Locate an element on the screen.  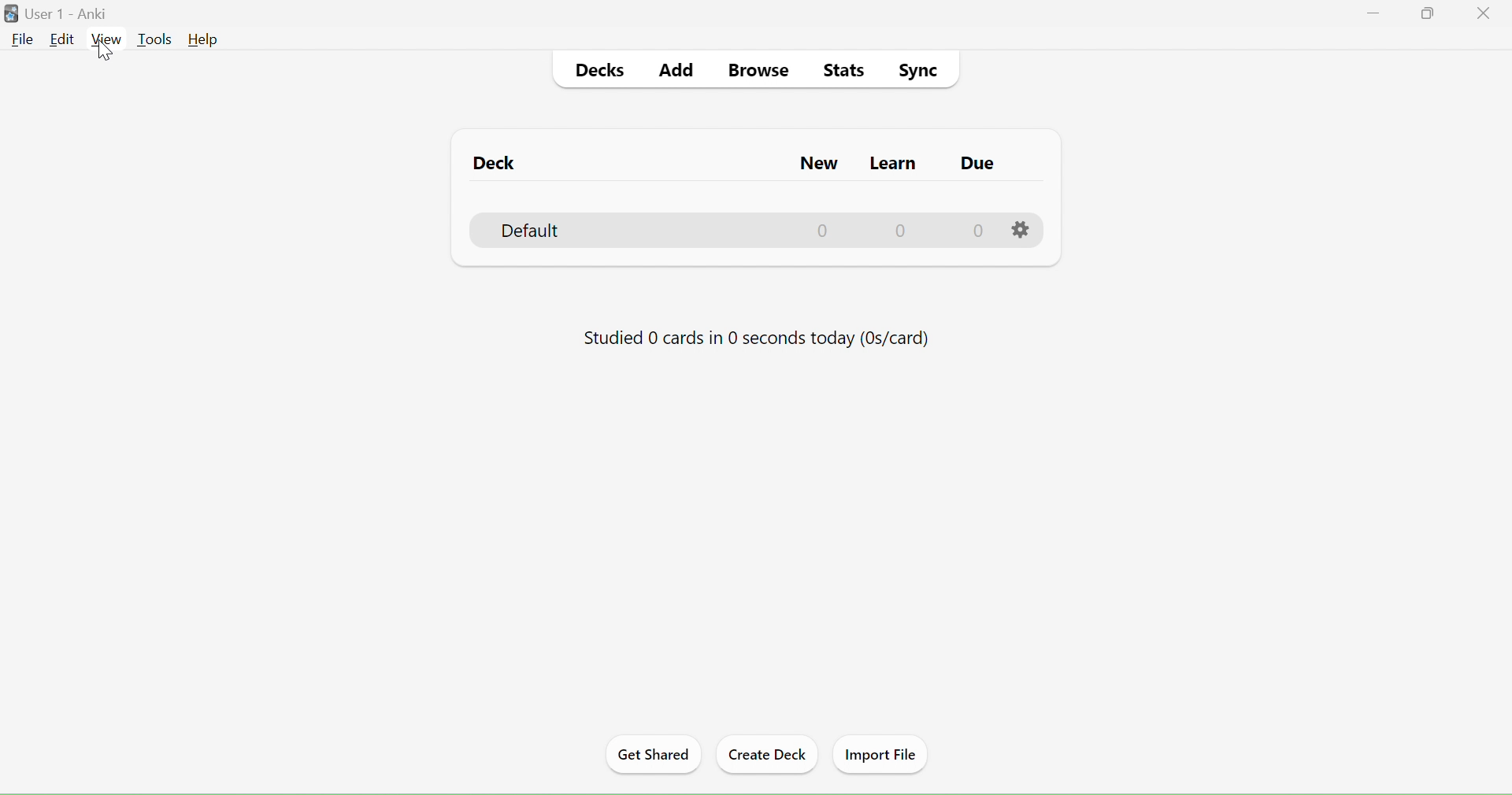
help is located at coordinates (203, 40).